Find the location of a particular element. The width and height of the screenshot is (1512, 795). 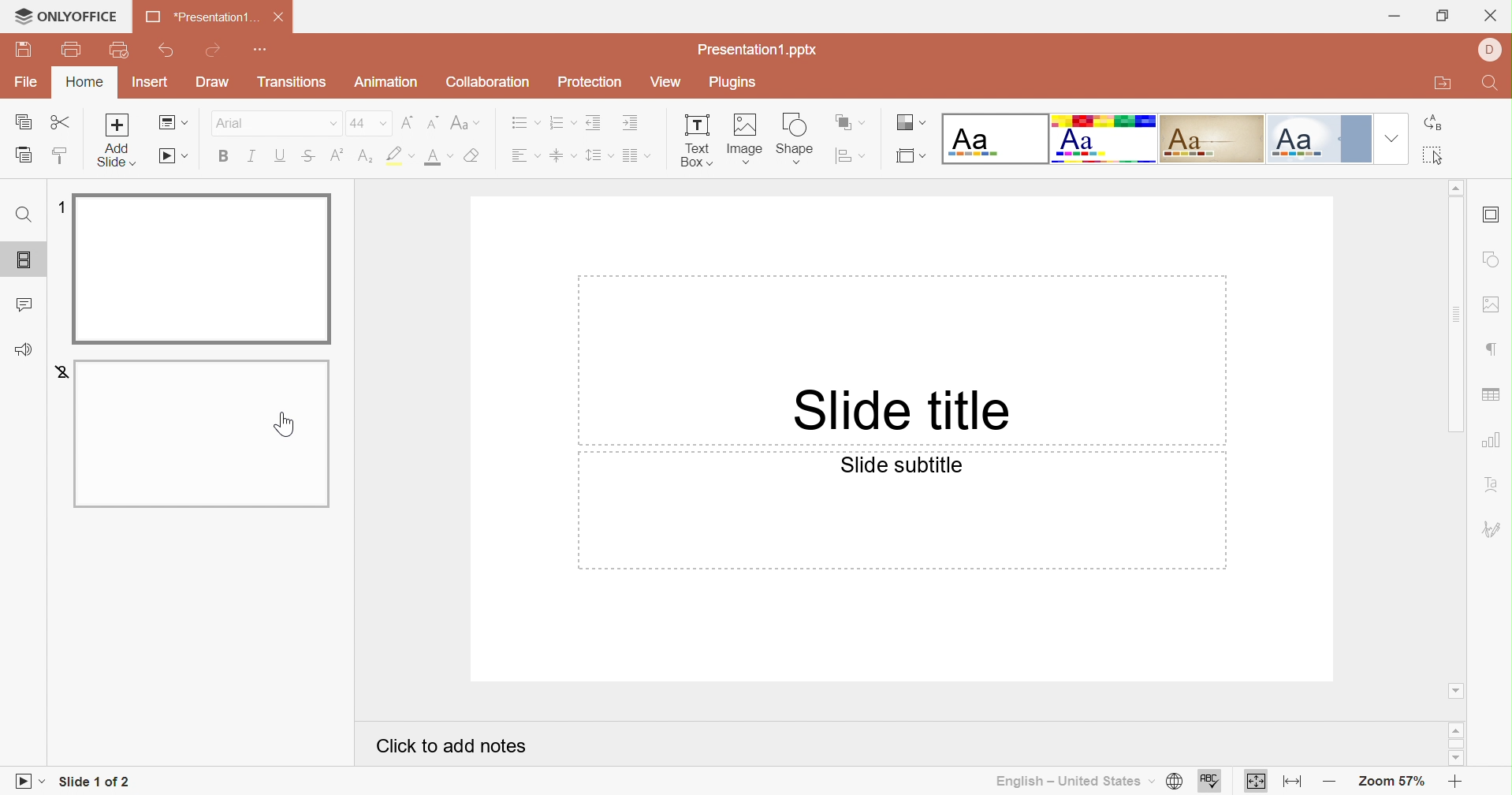

*Presentation1... is located at coordinates (200, 17).